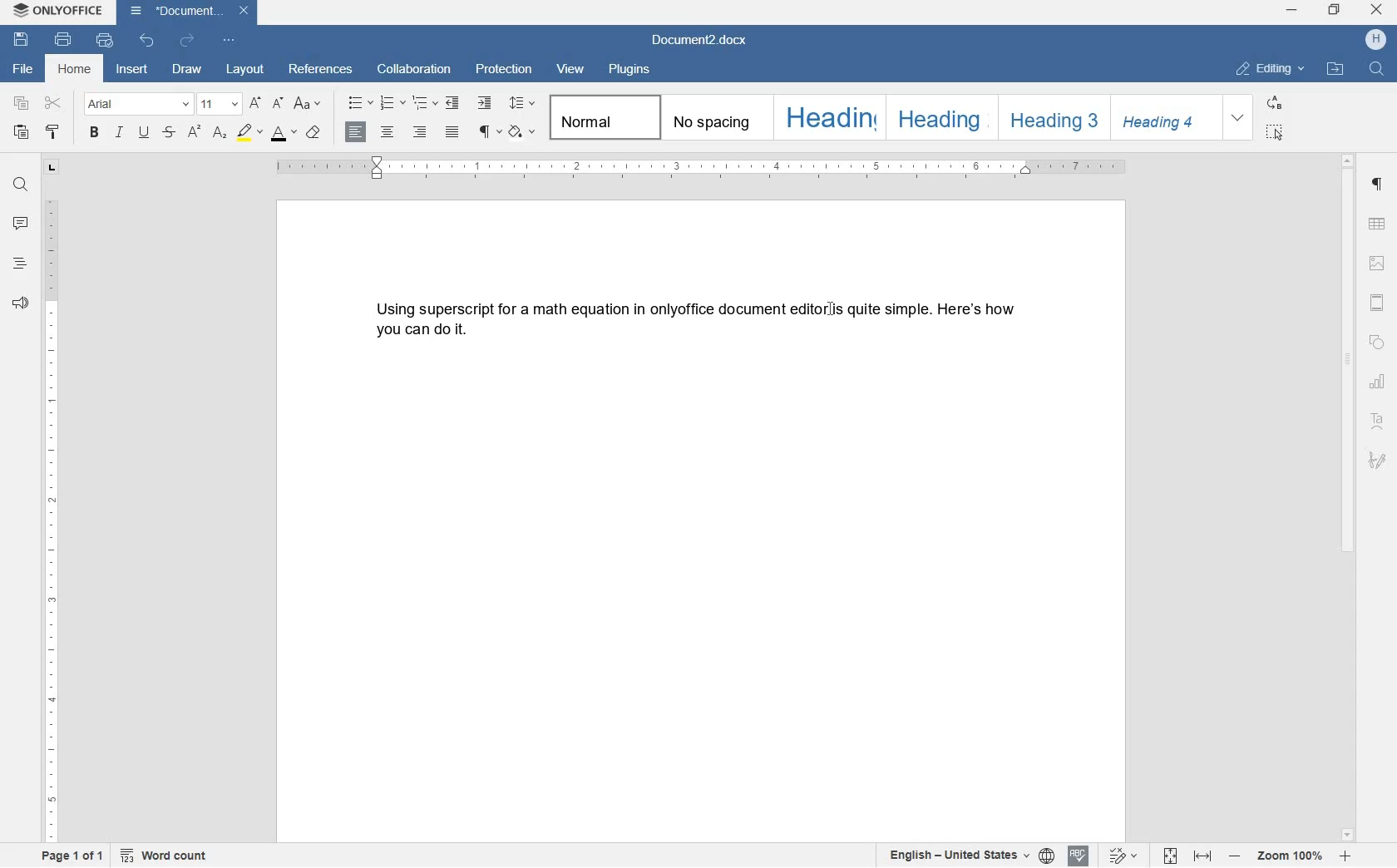 The width and height of the screenshot is (1397, 868). I want to click on insert, so click(135, 68).